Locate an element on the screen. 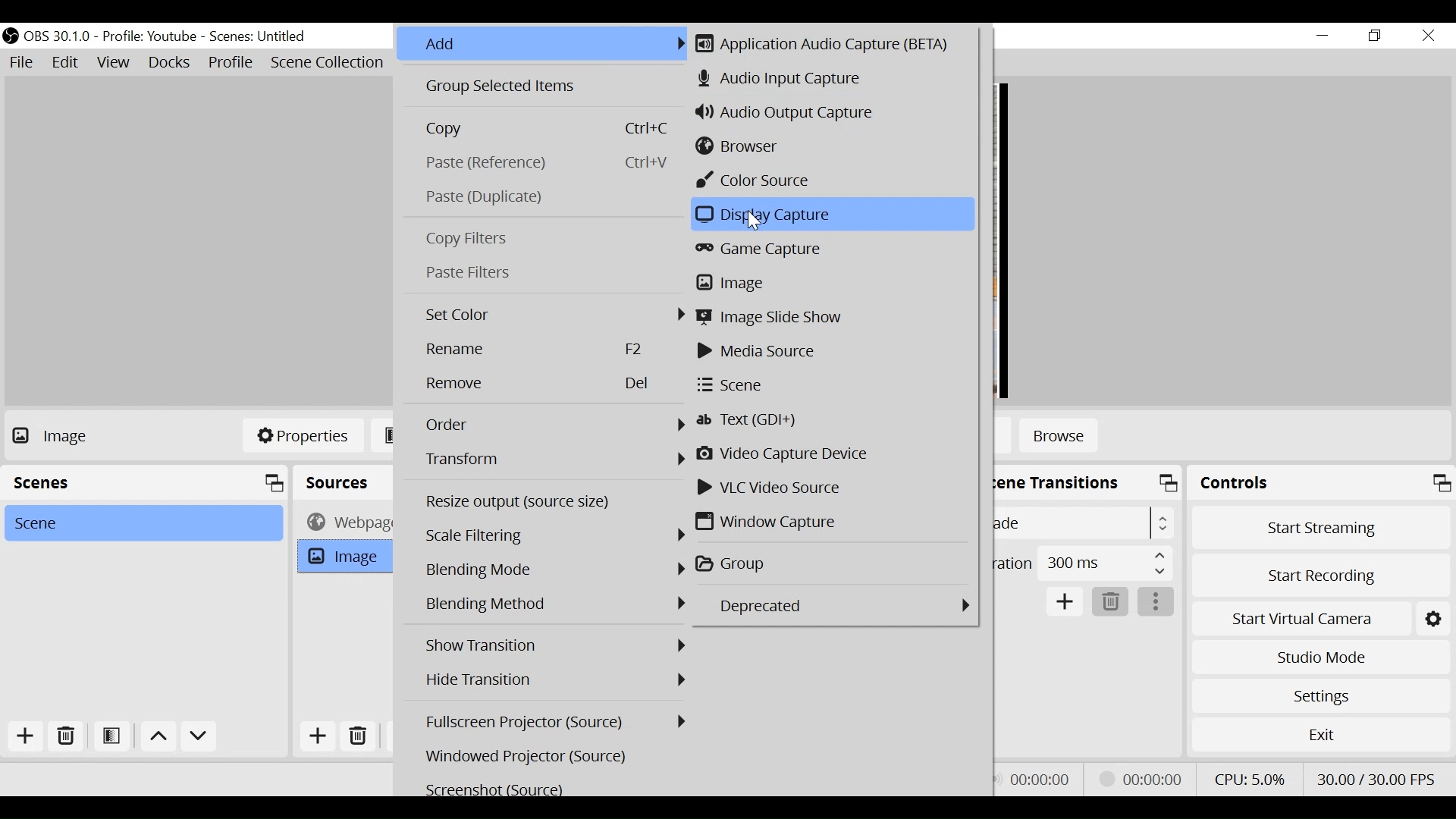 The image size is (1456, 819). Edit is located at coordinates (66, 62).